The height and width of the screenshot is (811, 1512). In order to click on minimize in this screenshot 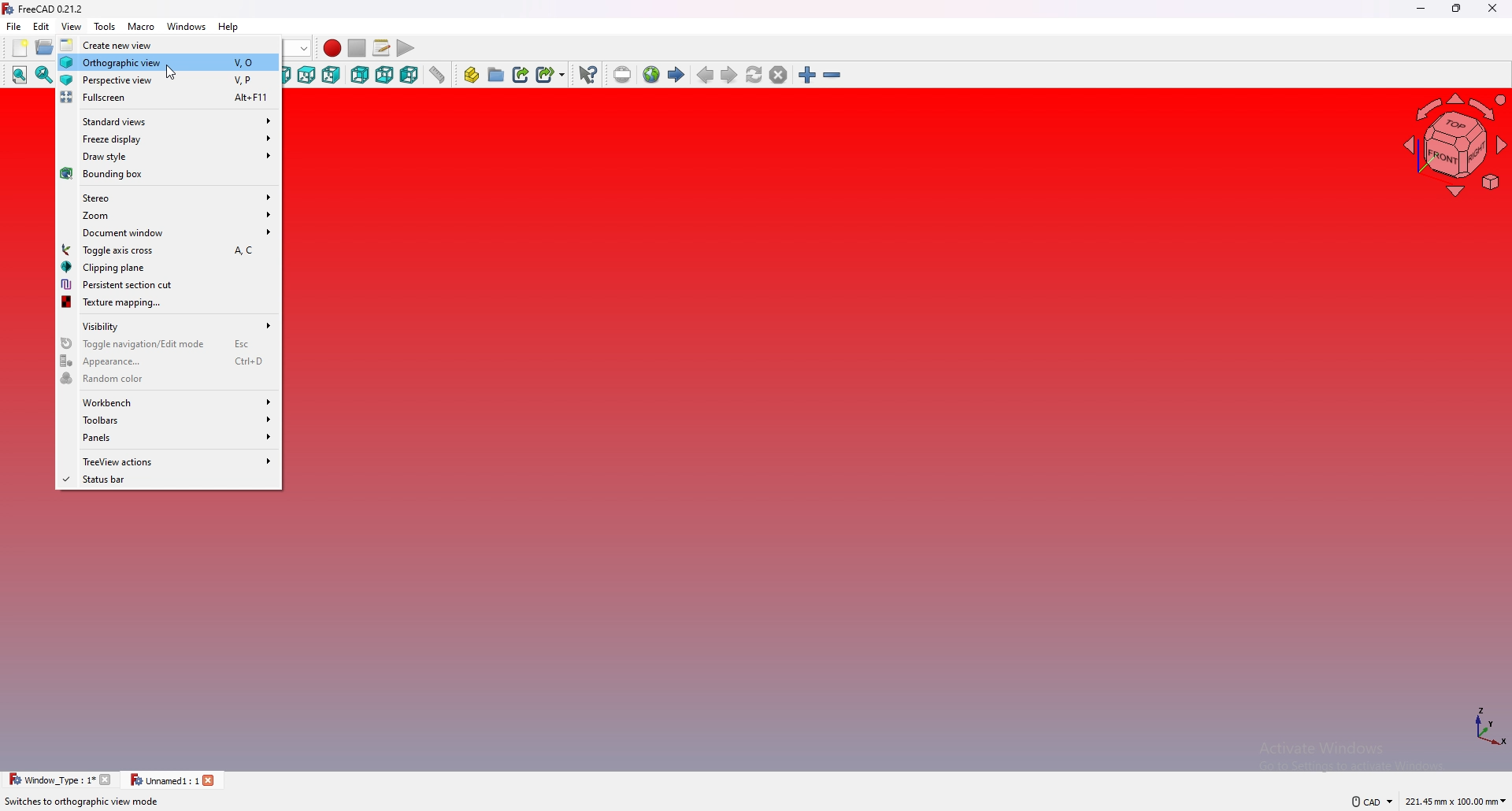, I will do `click(1420, 9)`.